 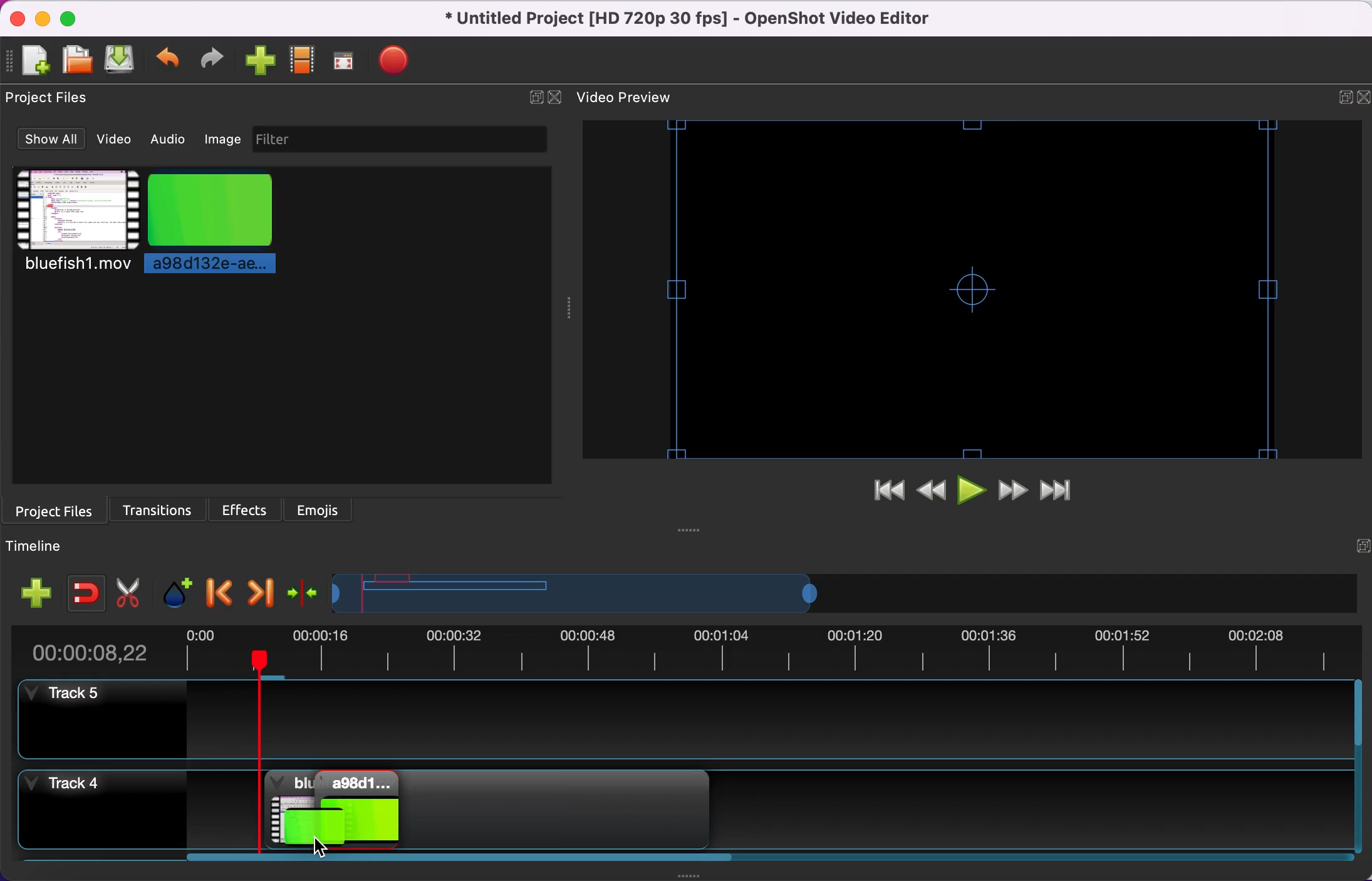 I want to click on track 4, so click(x=95, y=805).